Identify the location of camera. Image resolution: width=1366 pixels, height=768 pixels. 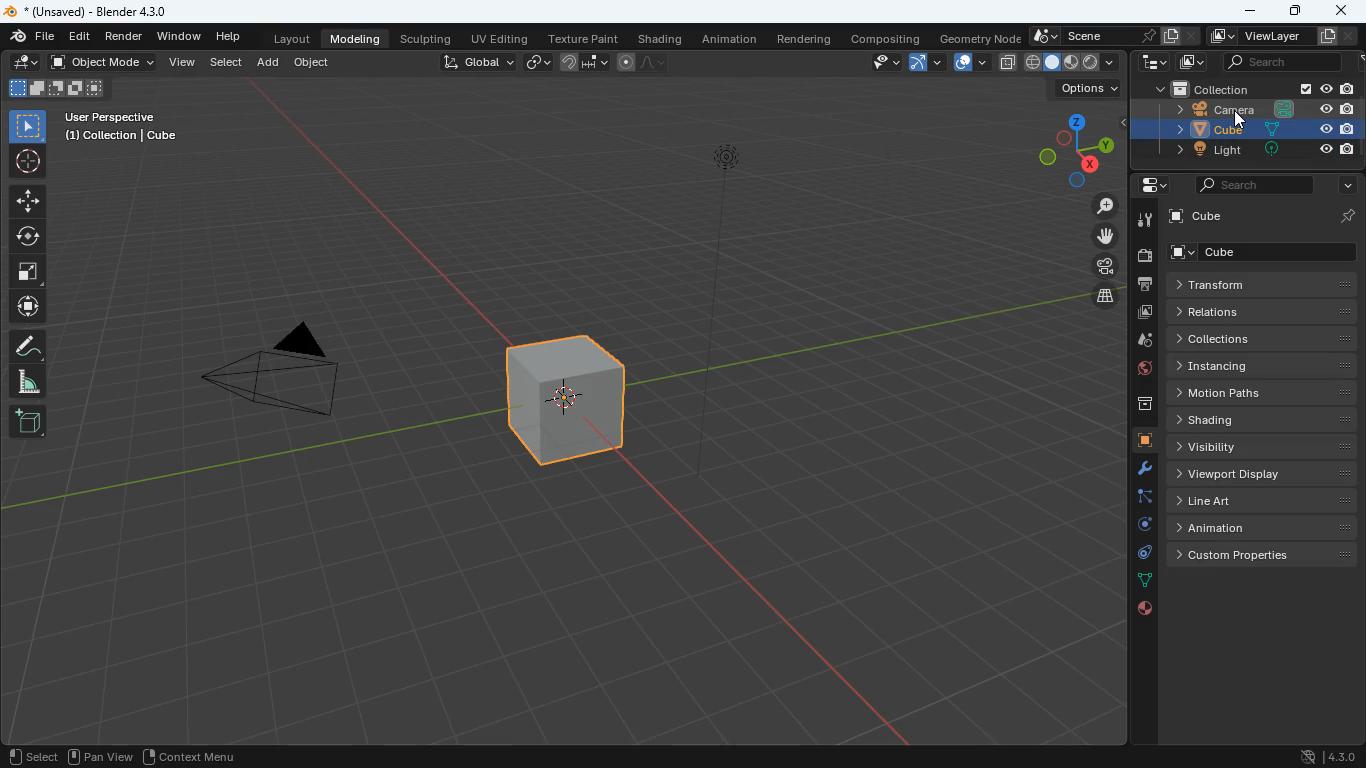
(1248, 109).